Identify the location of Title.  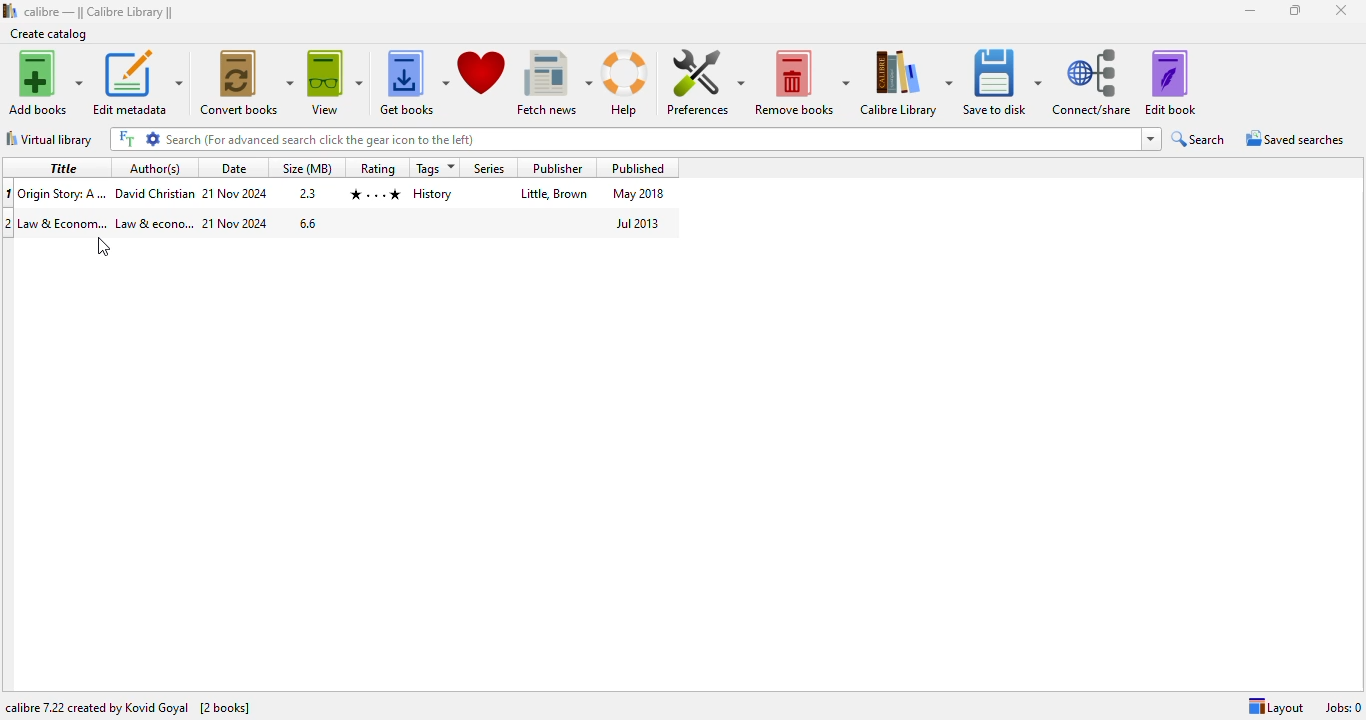
(64, 191).